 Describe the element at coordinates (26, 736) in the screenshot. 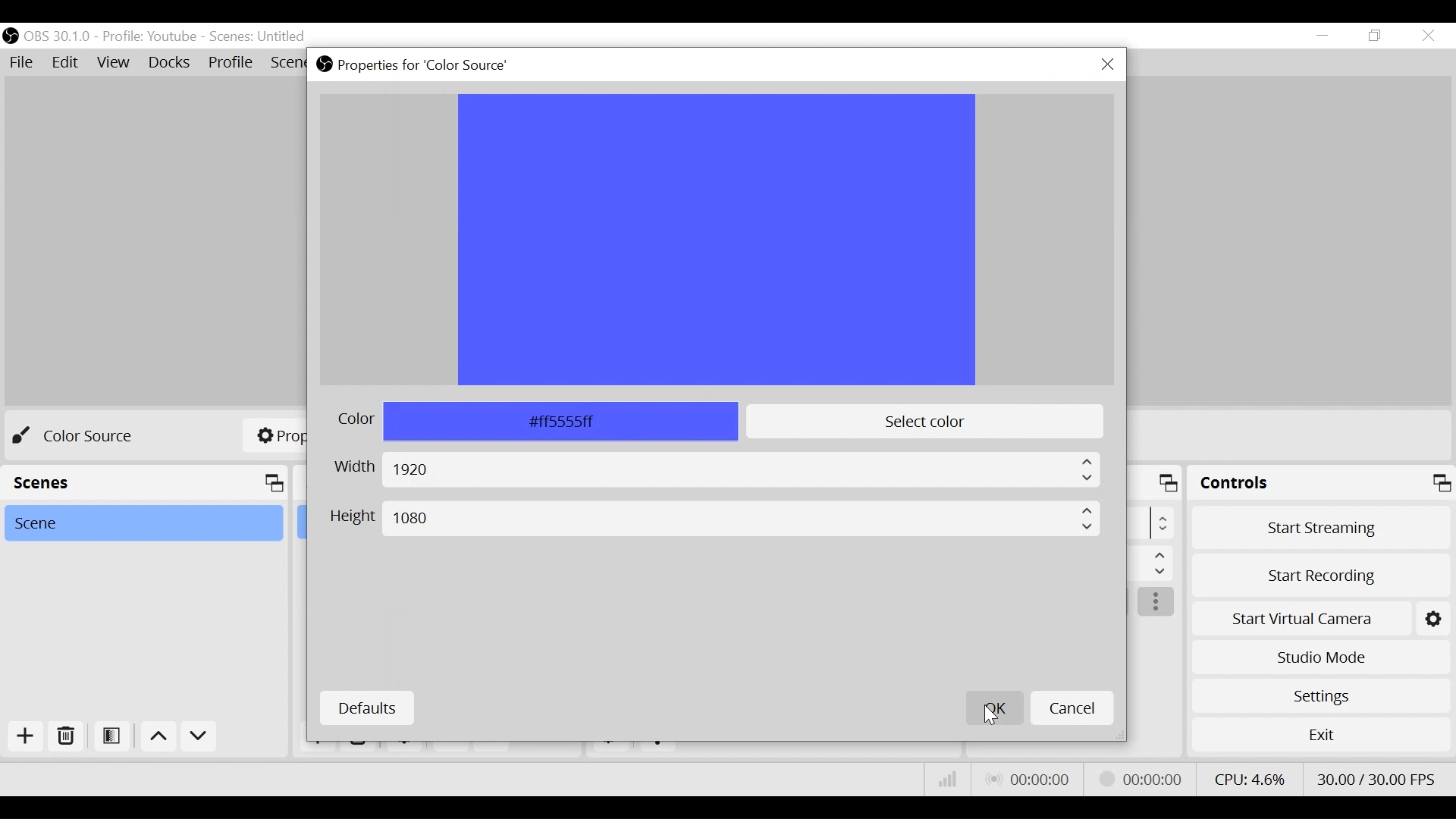

I see `Add` at that location.